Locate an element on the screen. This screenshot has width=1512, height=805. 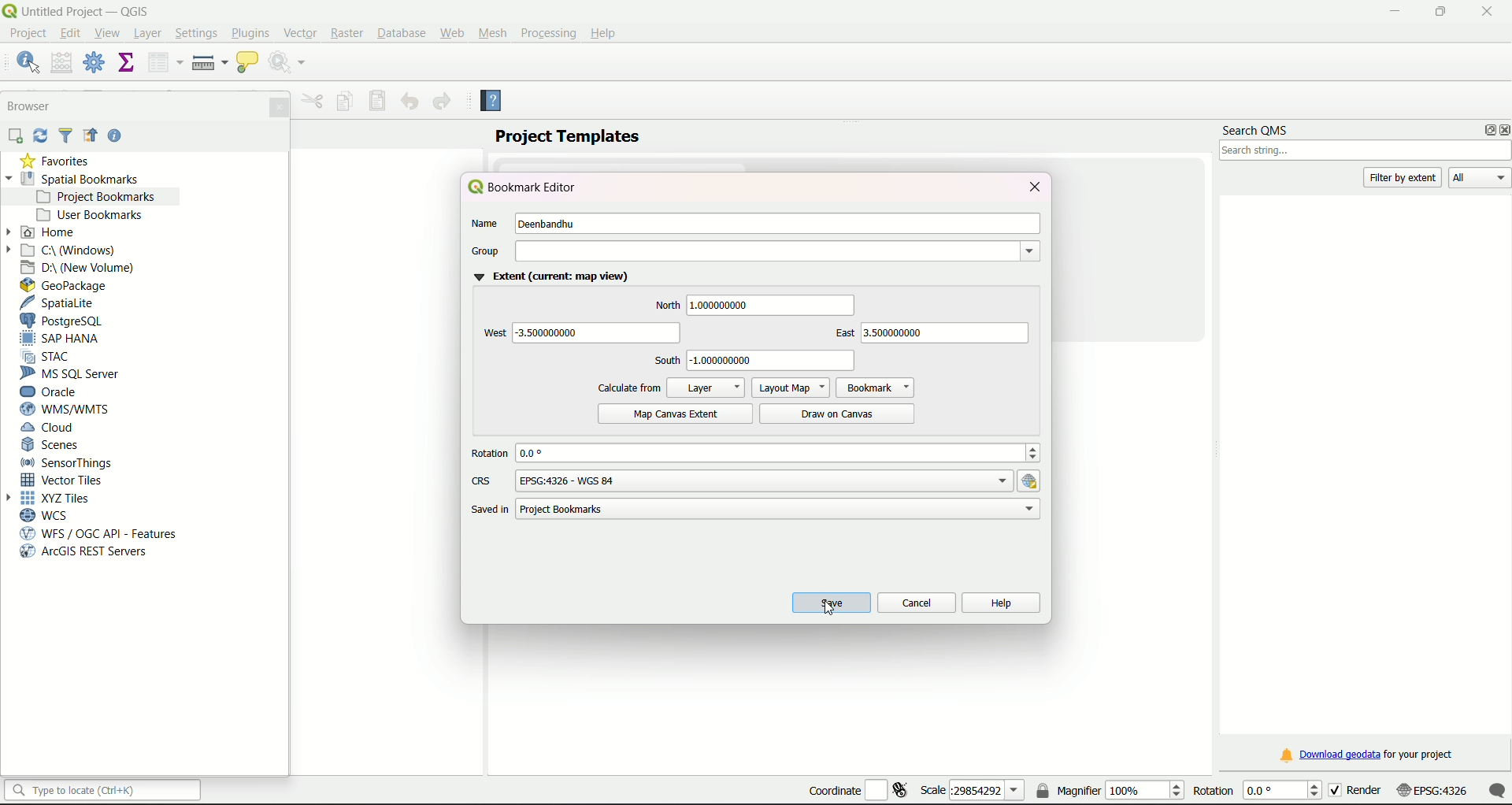
 is located at coordinates (313, 101).